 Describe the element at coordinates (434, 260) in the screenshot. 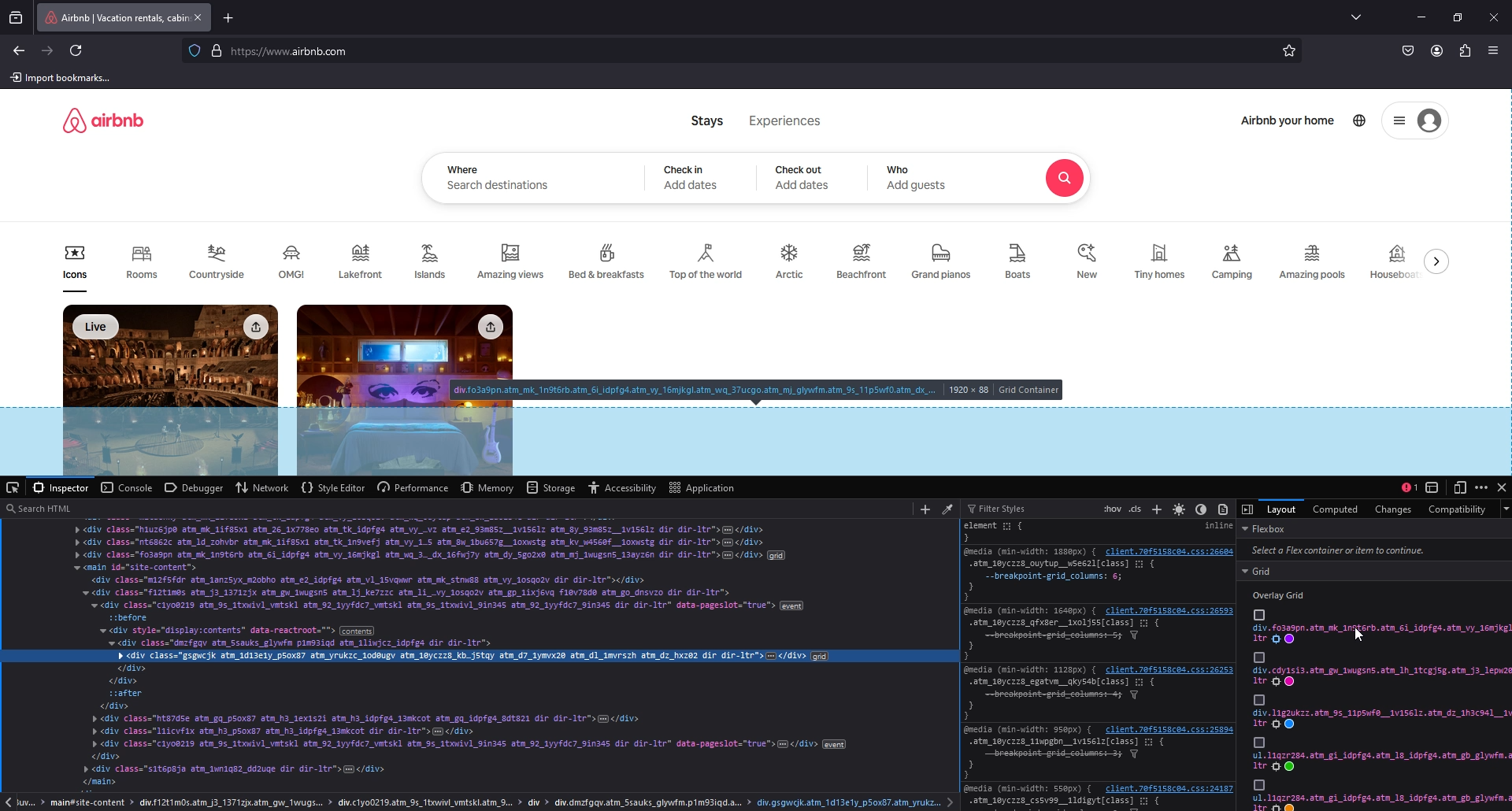

I see `Islands` at that location.